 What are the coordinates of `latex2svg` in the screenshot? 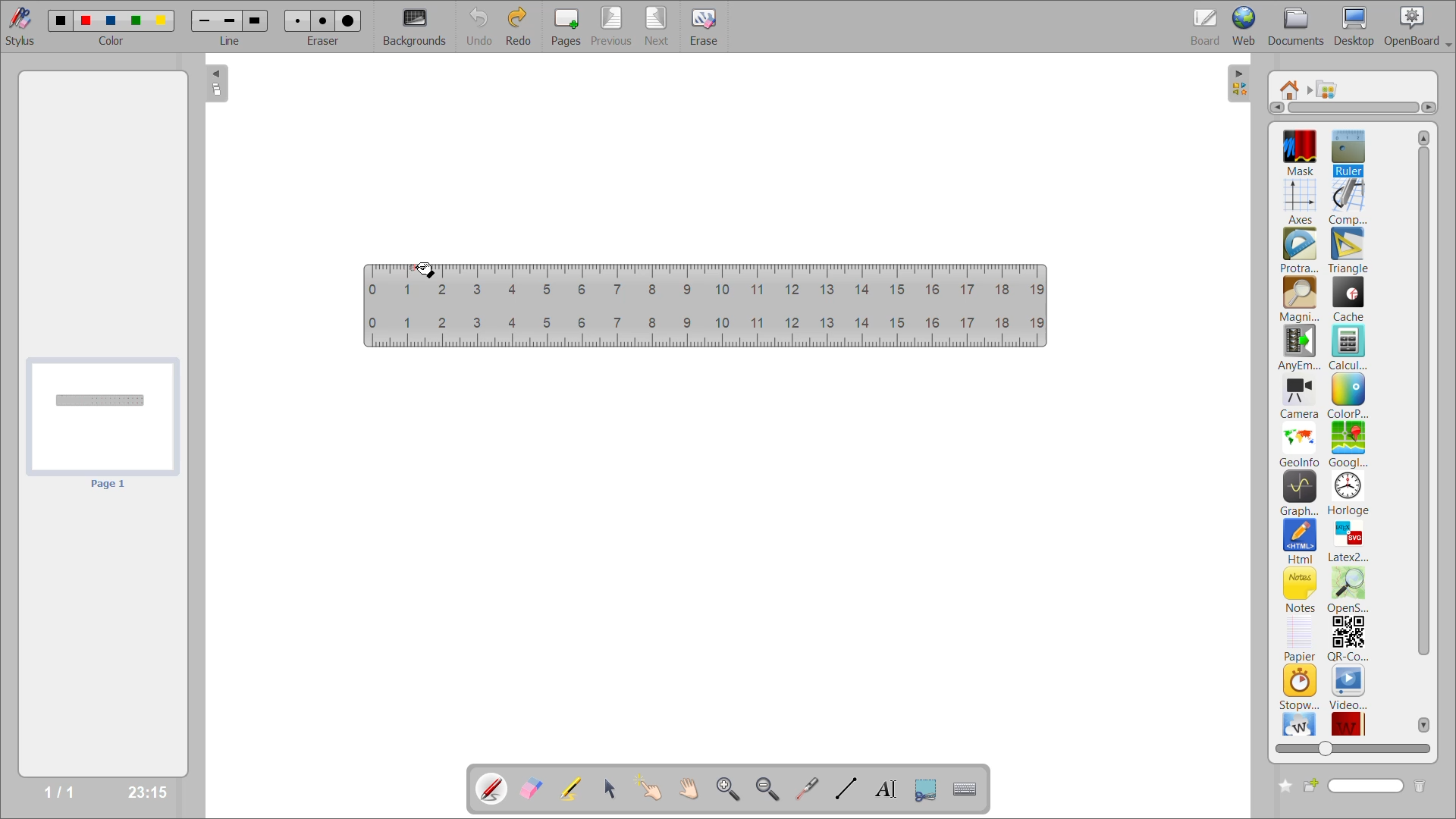 It's located at (1348, 541).